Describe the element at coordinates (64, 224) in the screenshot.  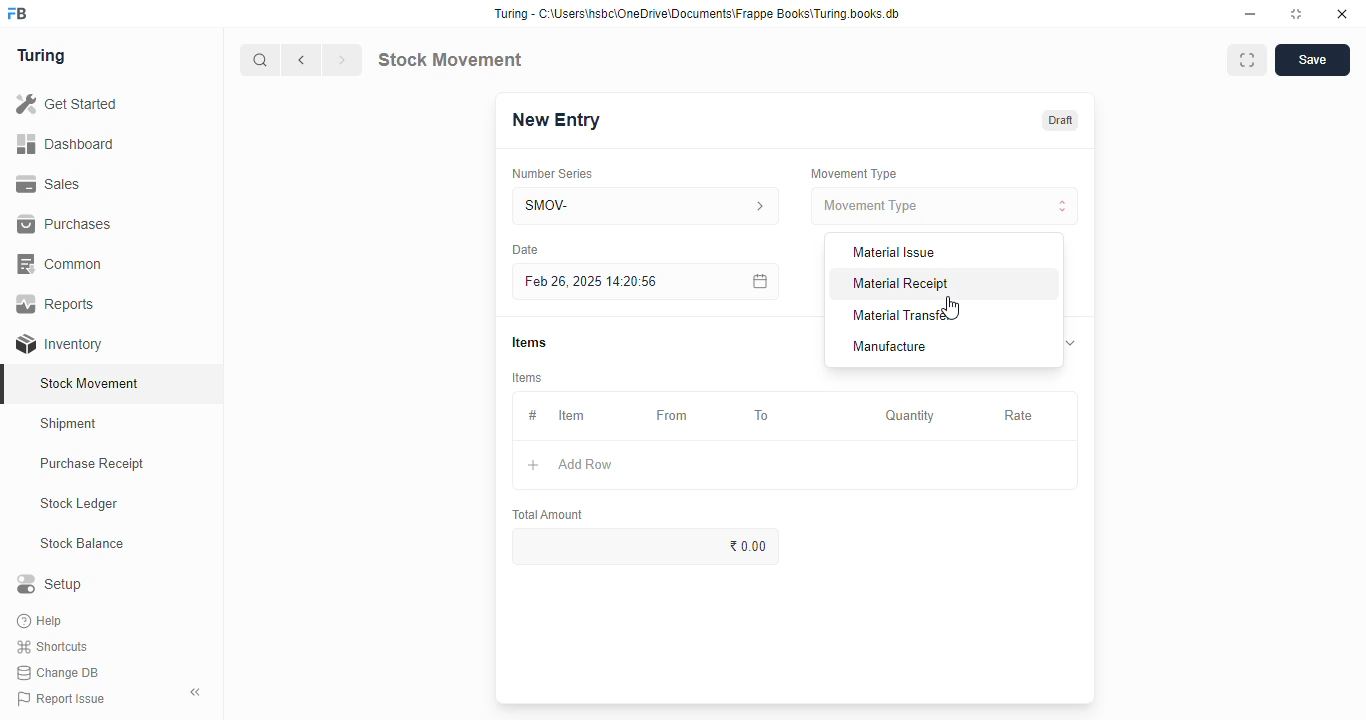
I see `purchases` at that location.